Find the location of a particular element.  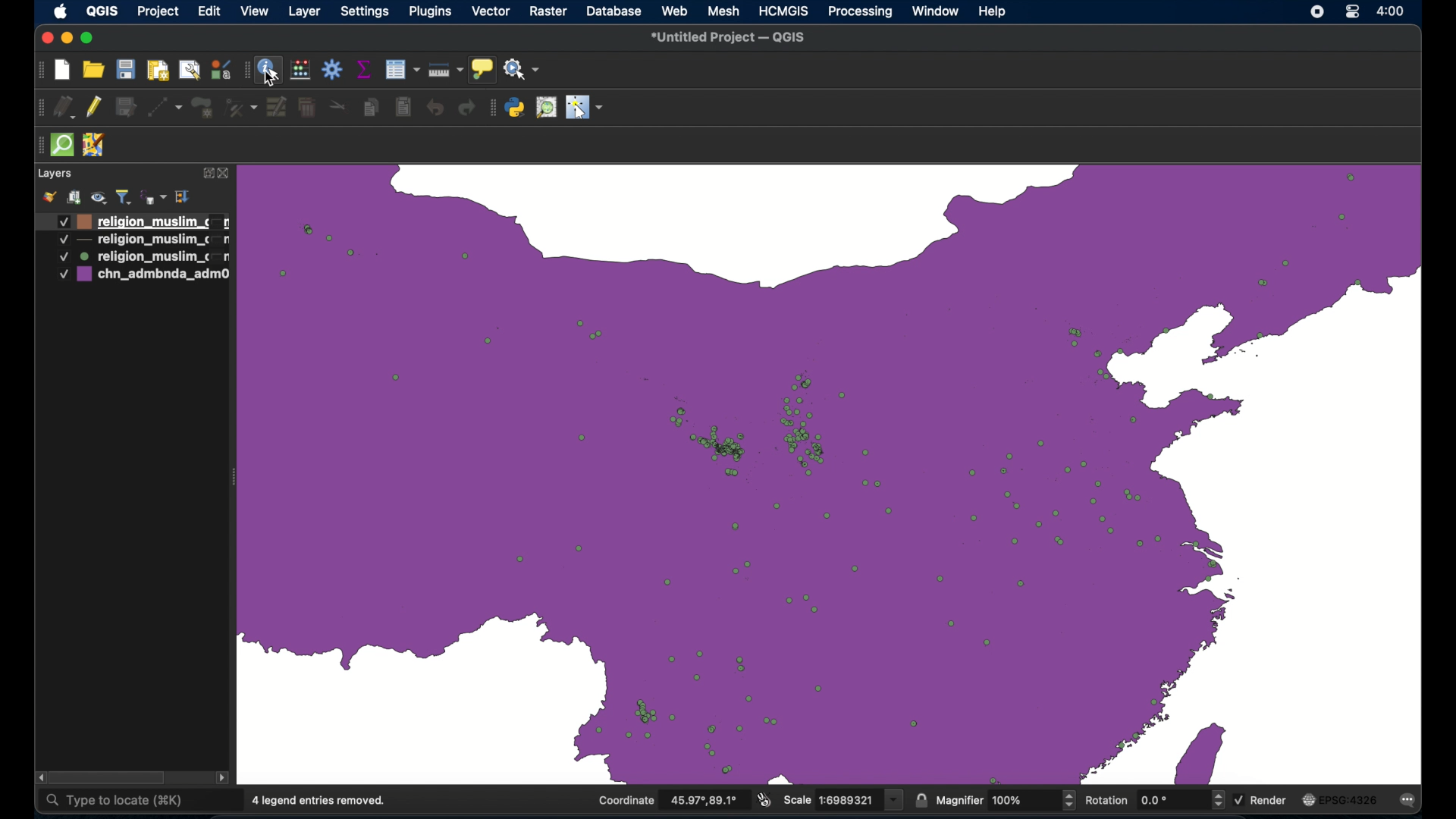

osm palce search is located at coordinates (545, 108).